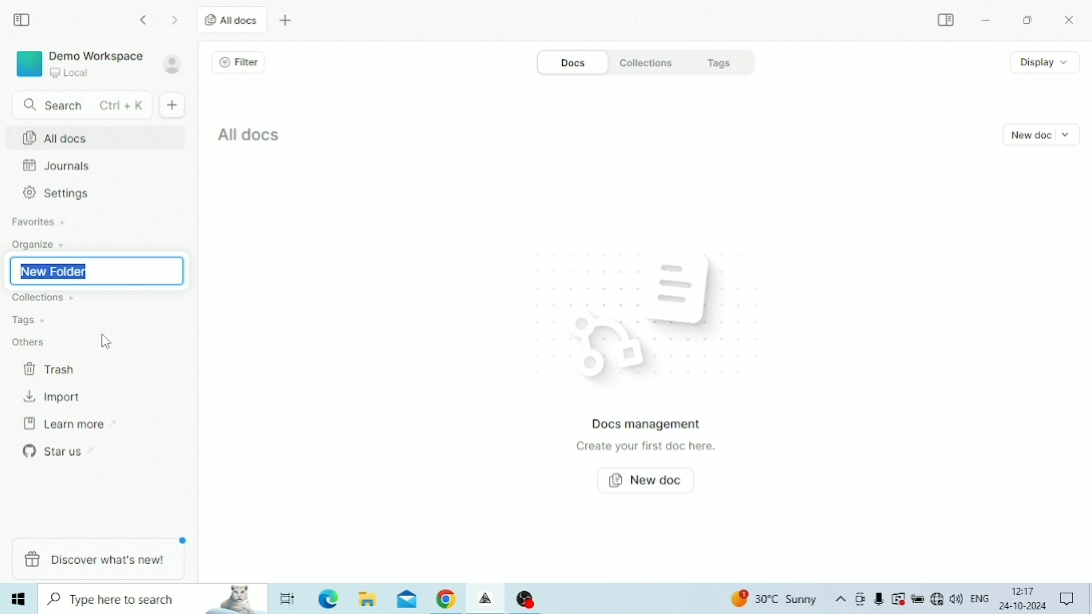  I want to click on New doc, so click(648, 481).